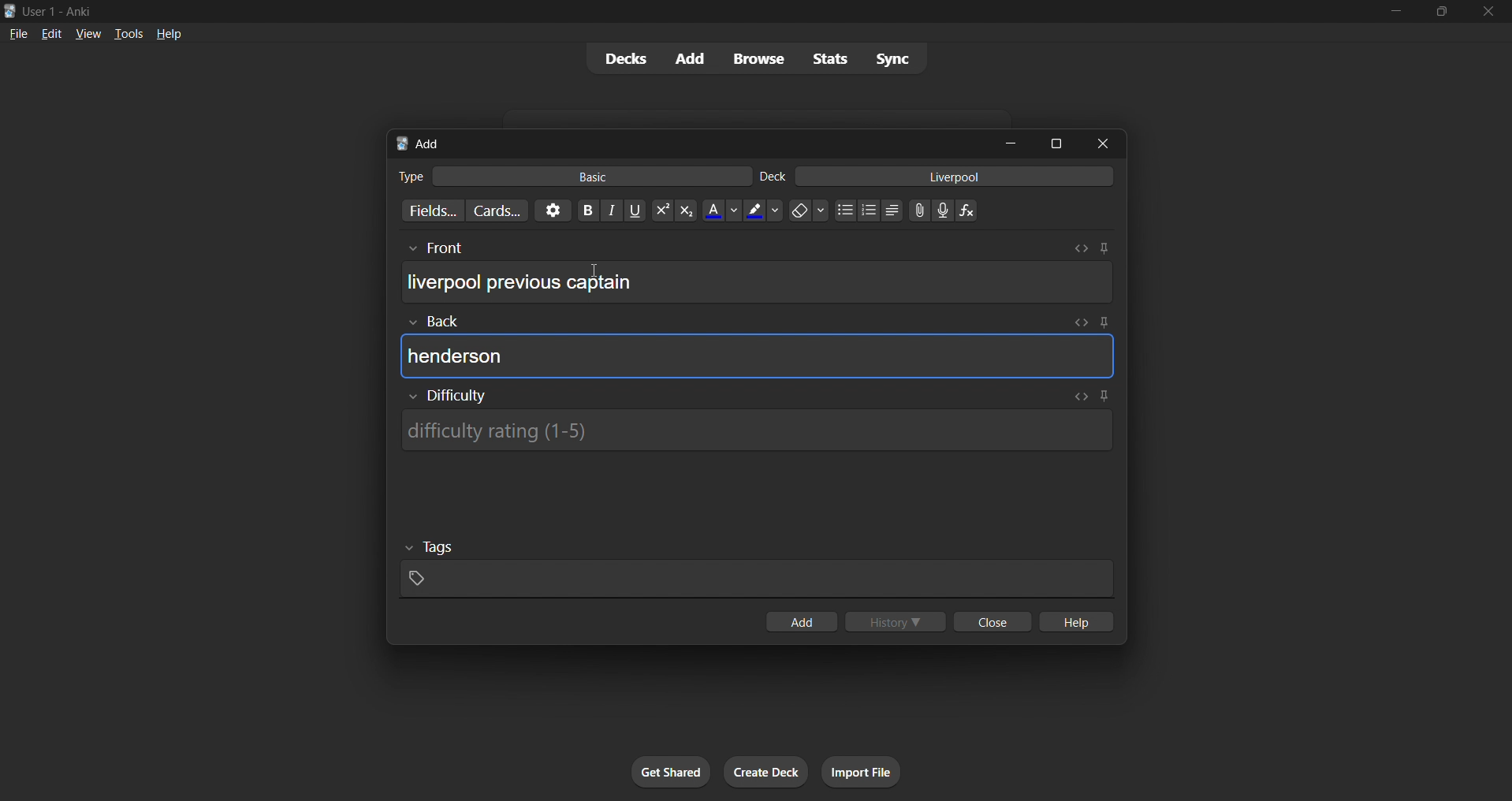 Image resolution: width=1512 pixels, height=801 pixels. What do you see at coordinates (171, 32) in the screenshot?
I see `help` at bounding box center [171, 32].